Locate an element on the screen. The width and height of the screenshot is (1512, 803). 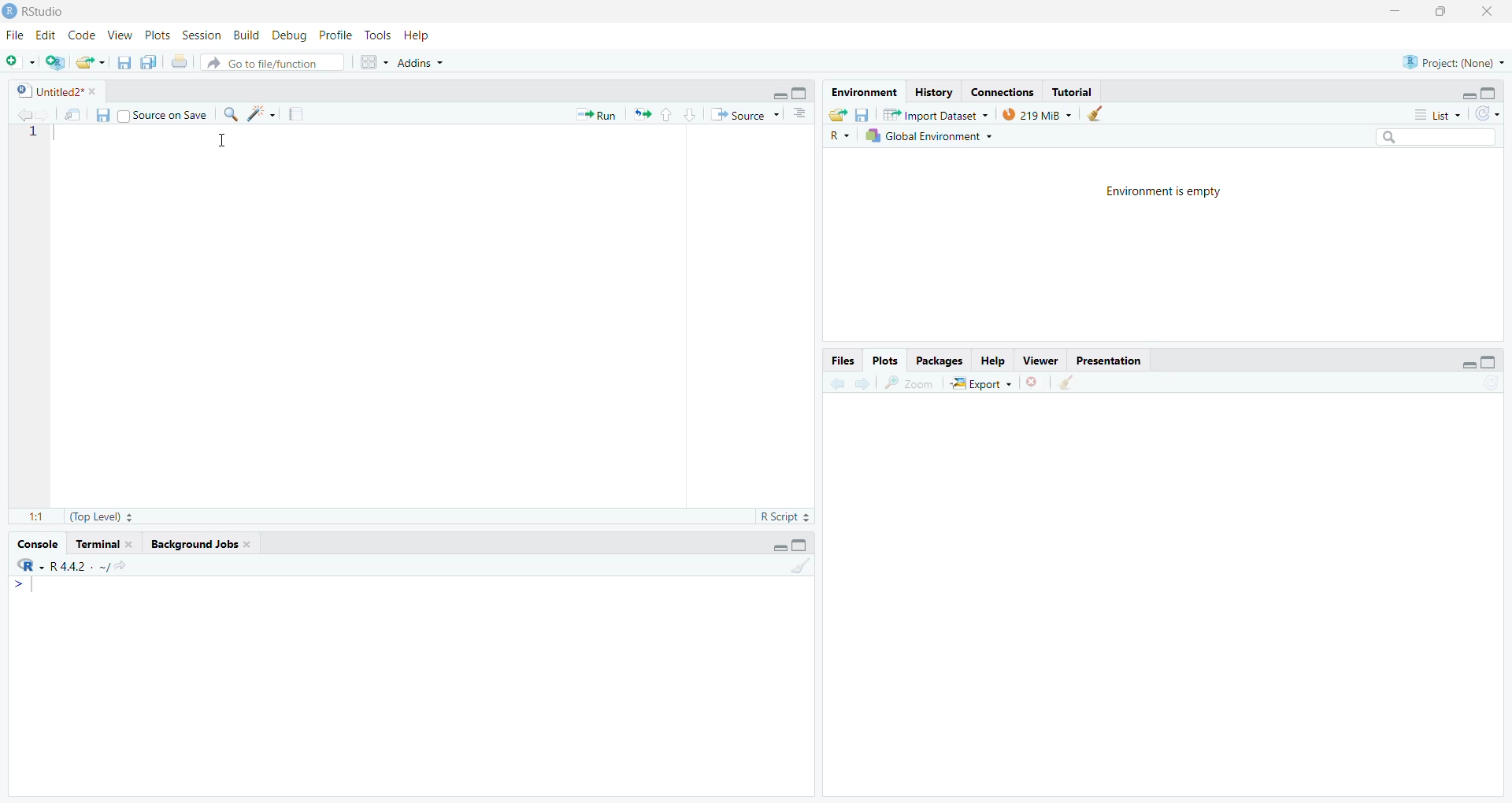
Presentation is located at coordinates (1109, 361).